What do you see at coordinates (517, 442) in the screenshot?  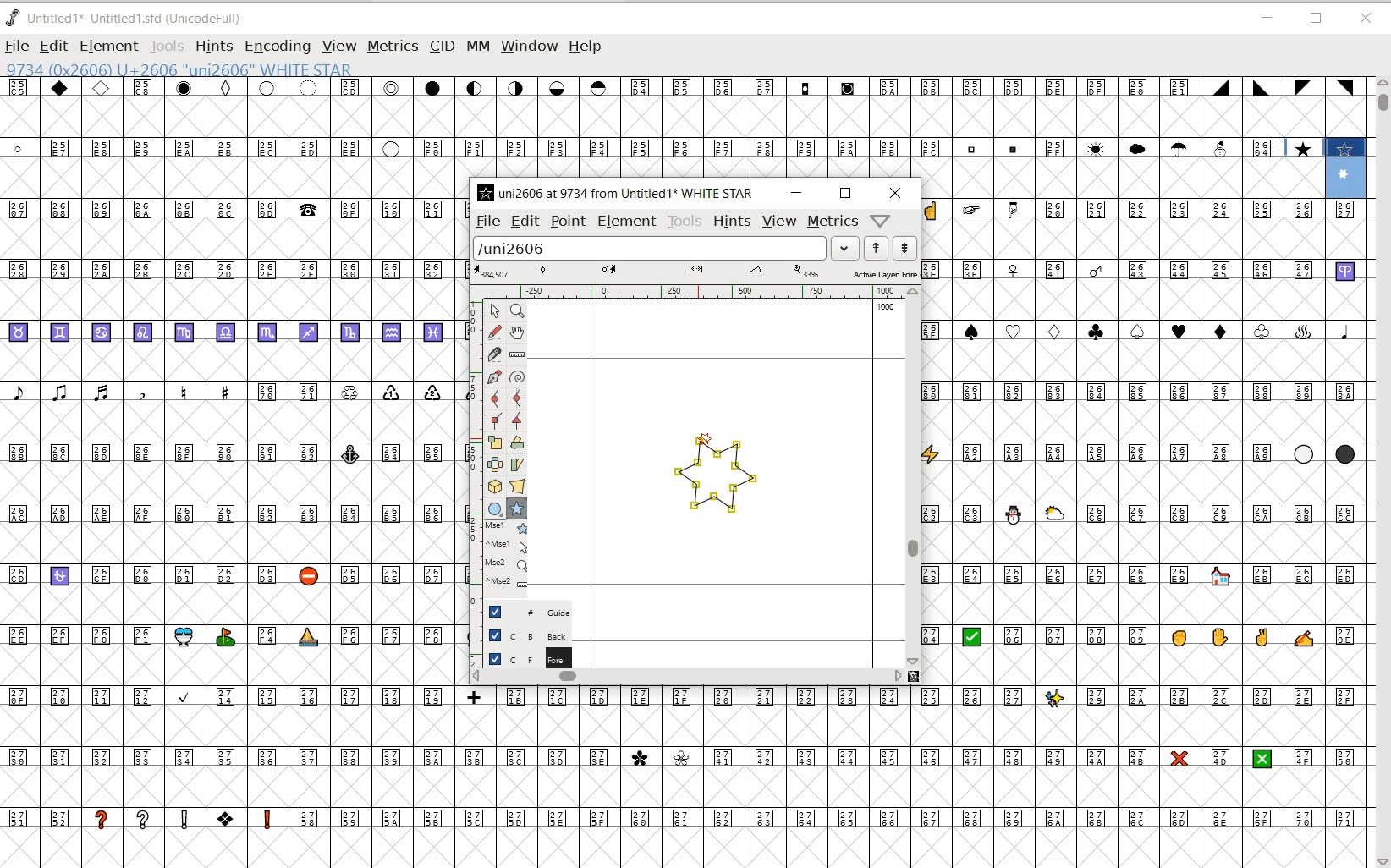 I see `ROTATE THE SELECTION` at bounding box center [517, 442].